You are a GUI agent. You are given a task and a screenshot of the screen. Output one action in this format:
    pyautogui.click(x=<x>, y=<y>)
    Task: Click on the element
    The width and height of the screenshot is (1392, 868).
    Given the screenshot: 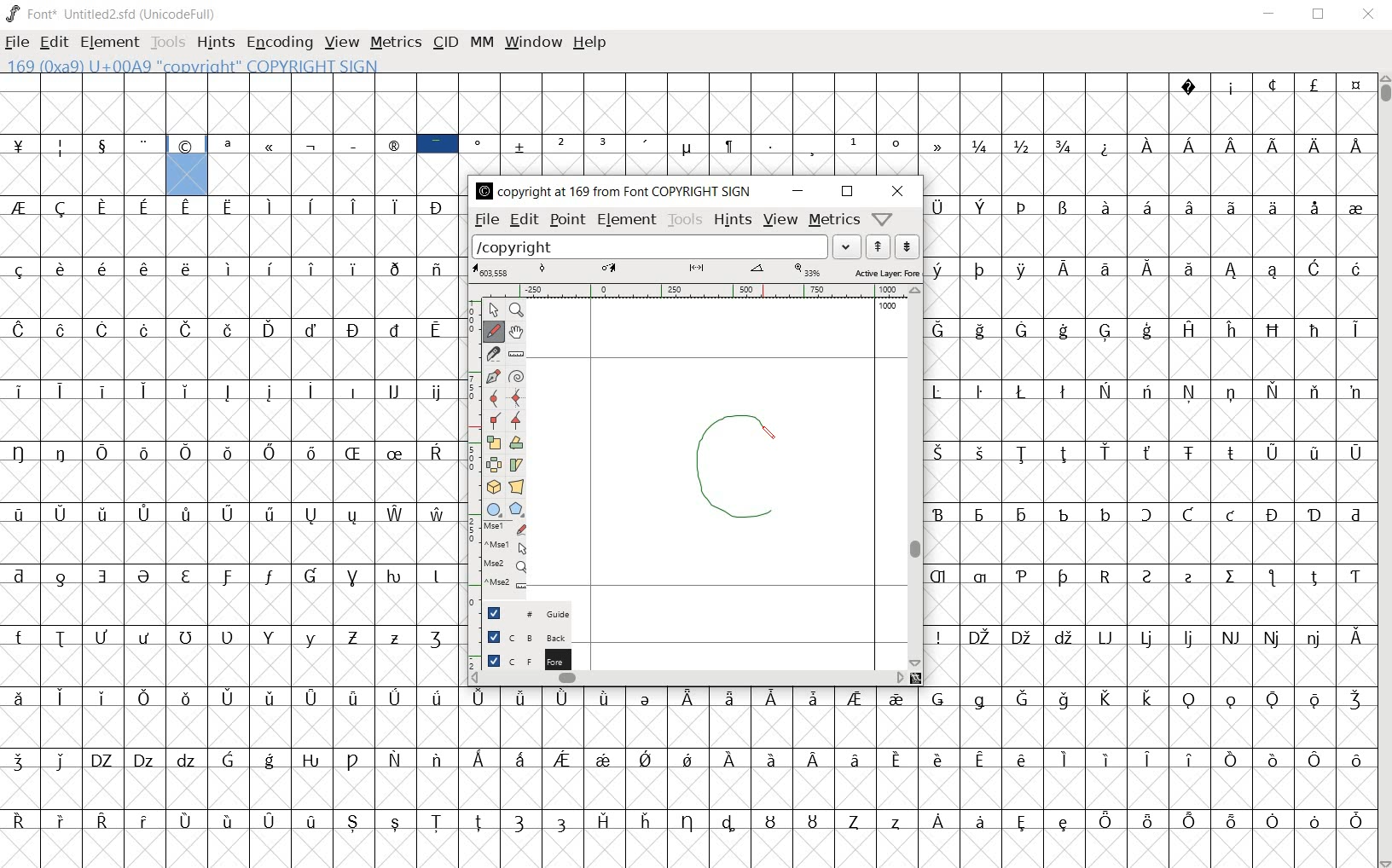 What is the action you would take?
    pyautogui.click(x=109, y=42)
    